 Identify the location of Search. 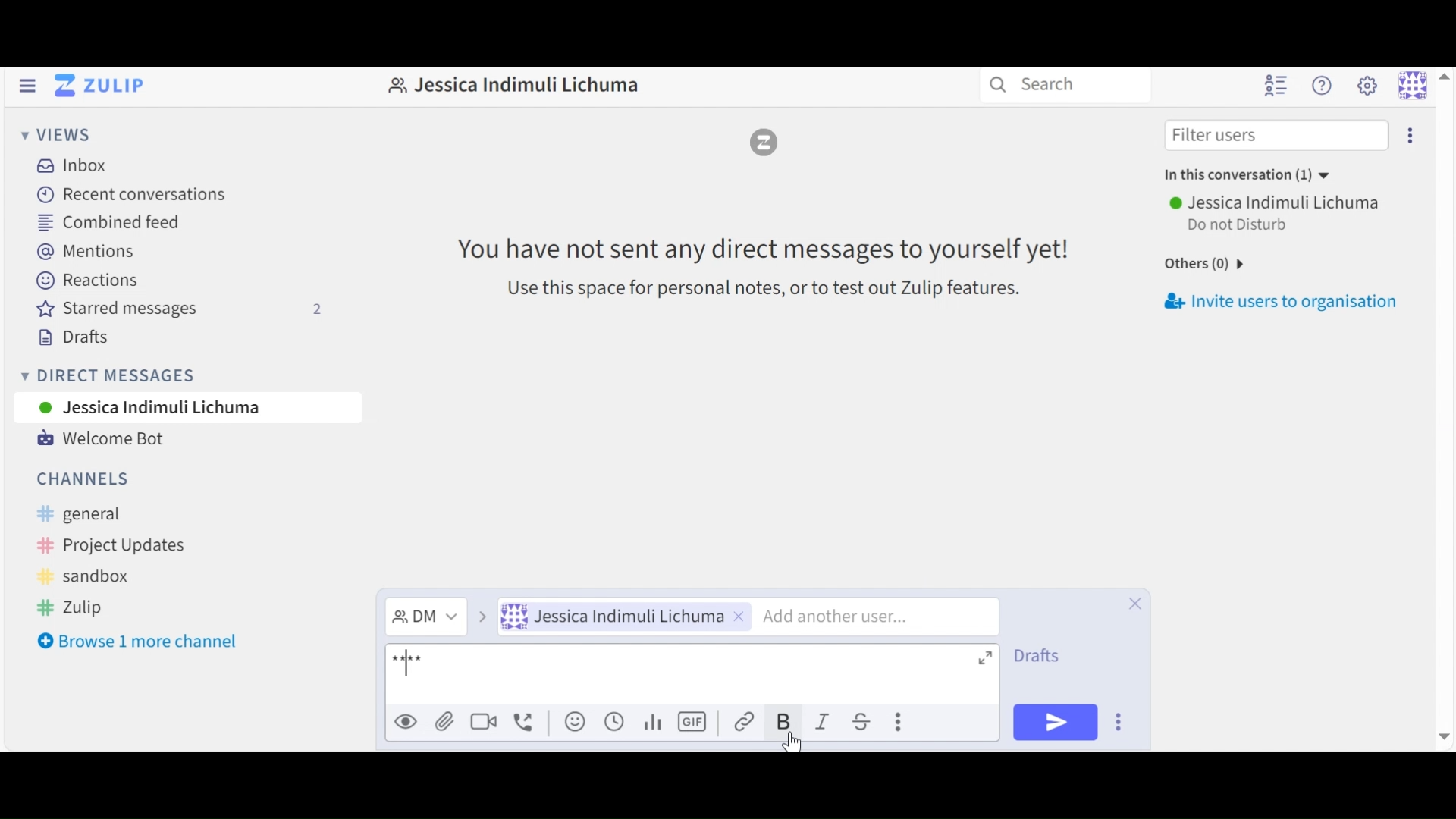
(1033, 84).